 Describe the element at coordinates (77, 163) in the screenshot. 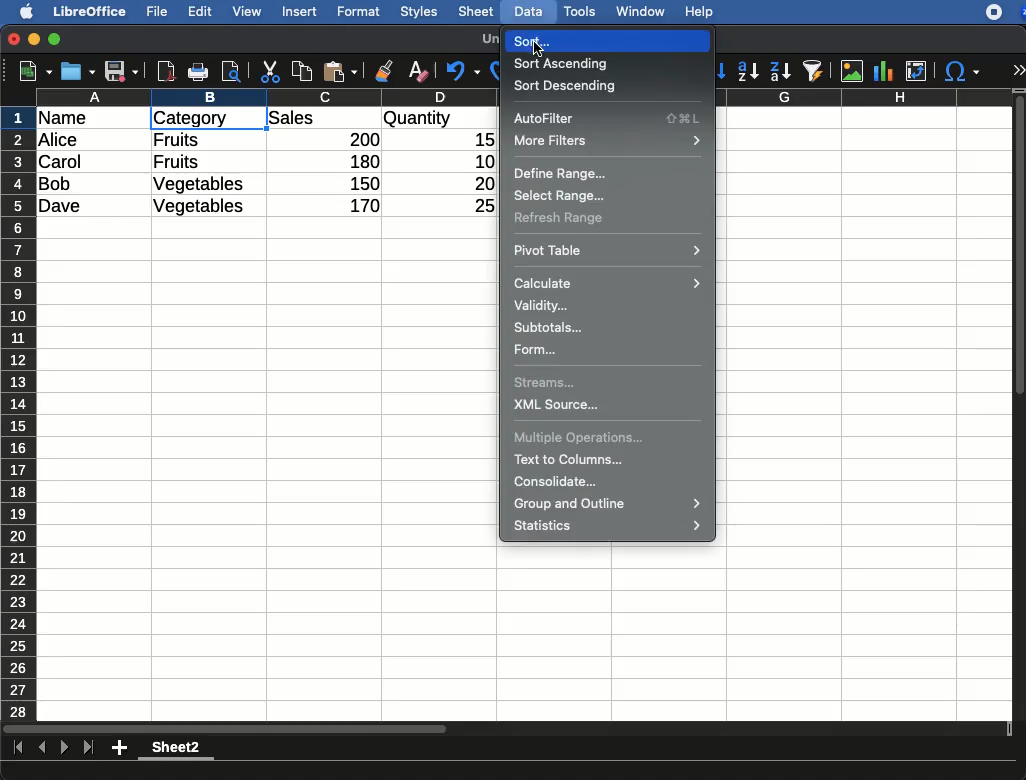

I see `Carol` at that location.